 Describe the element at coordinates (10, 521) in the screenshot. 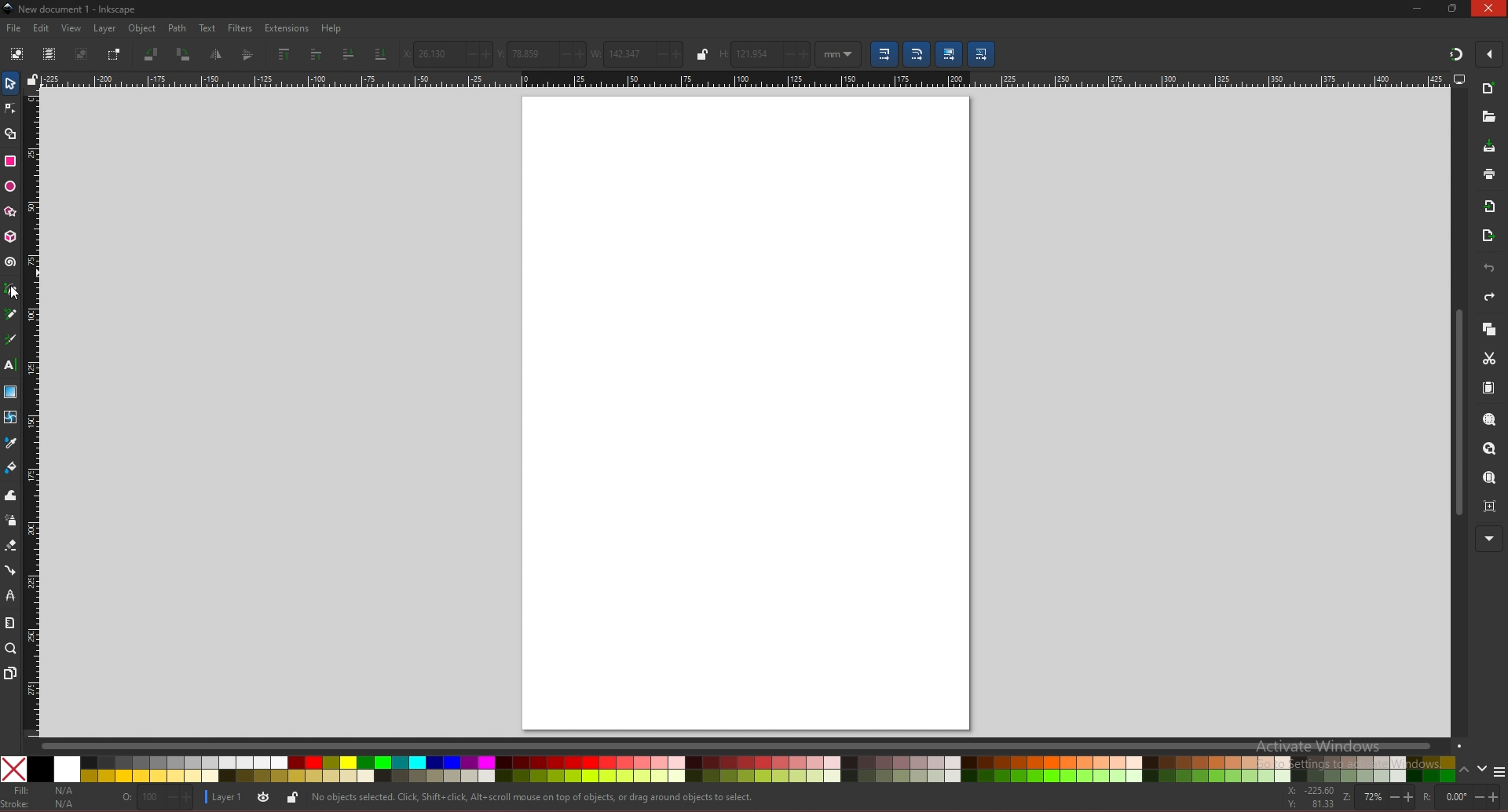

I see `spray` at that location.